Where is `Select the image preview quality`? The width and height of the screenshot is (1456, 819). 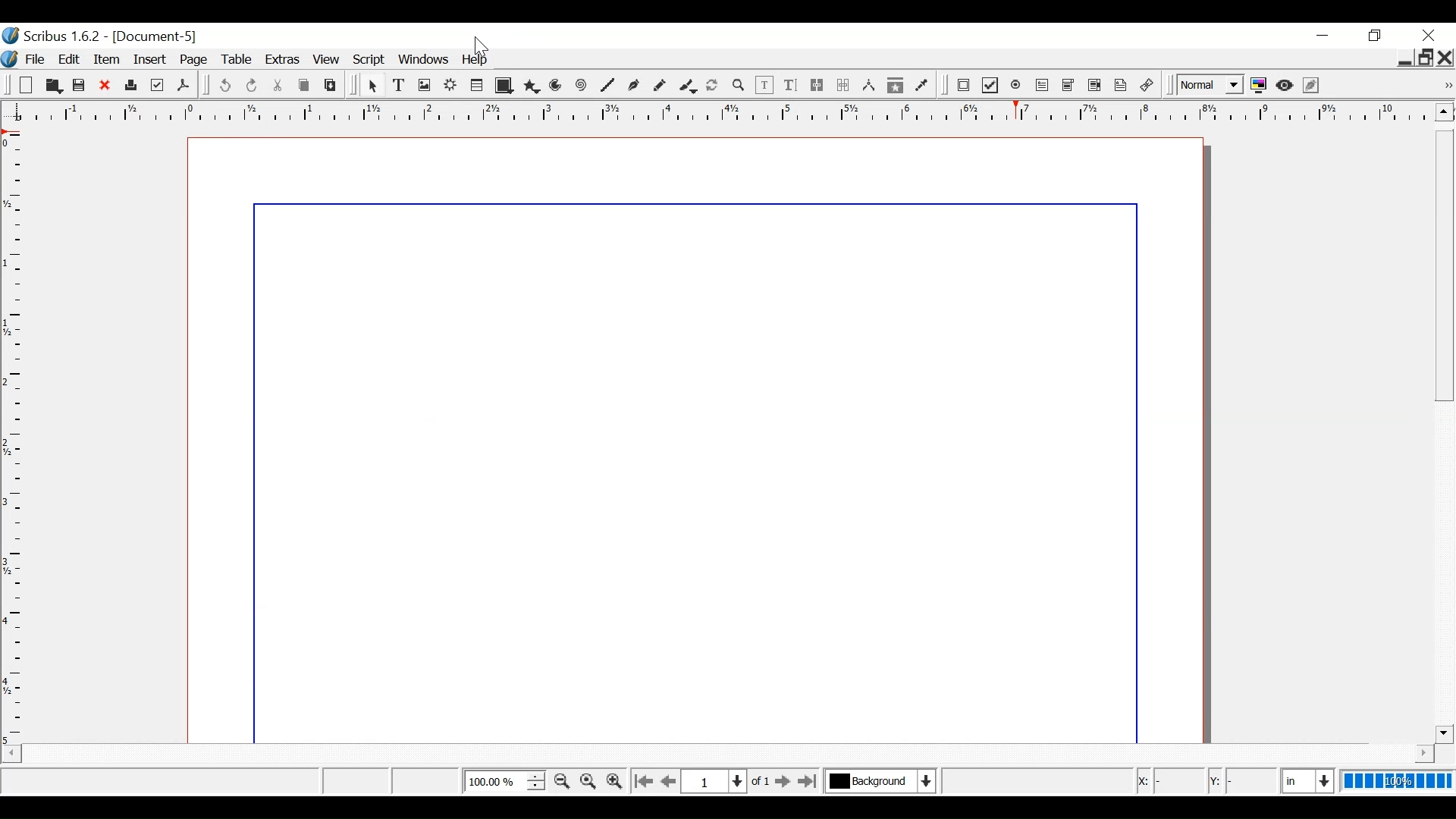 Select the image preview quality is located at coordinates (1208, 86).